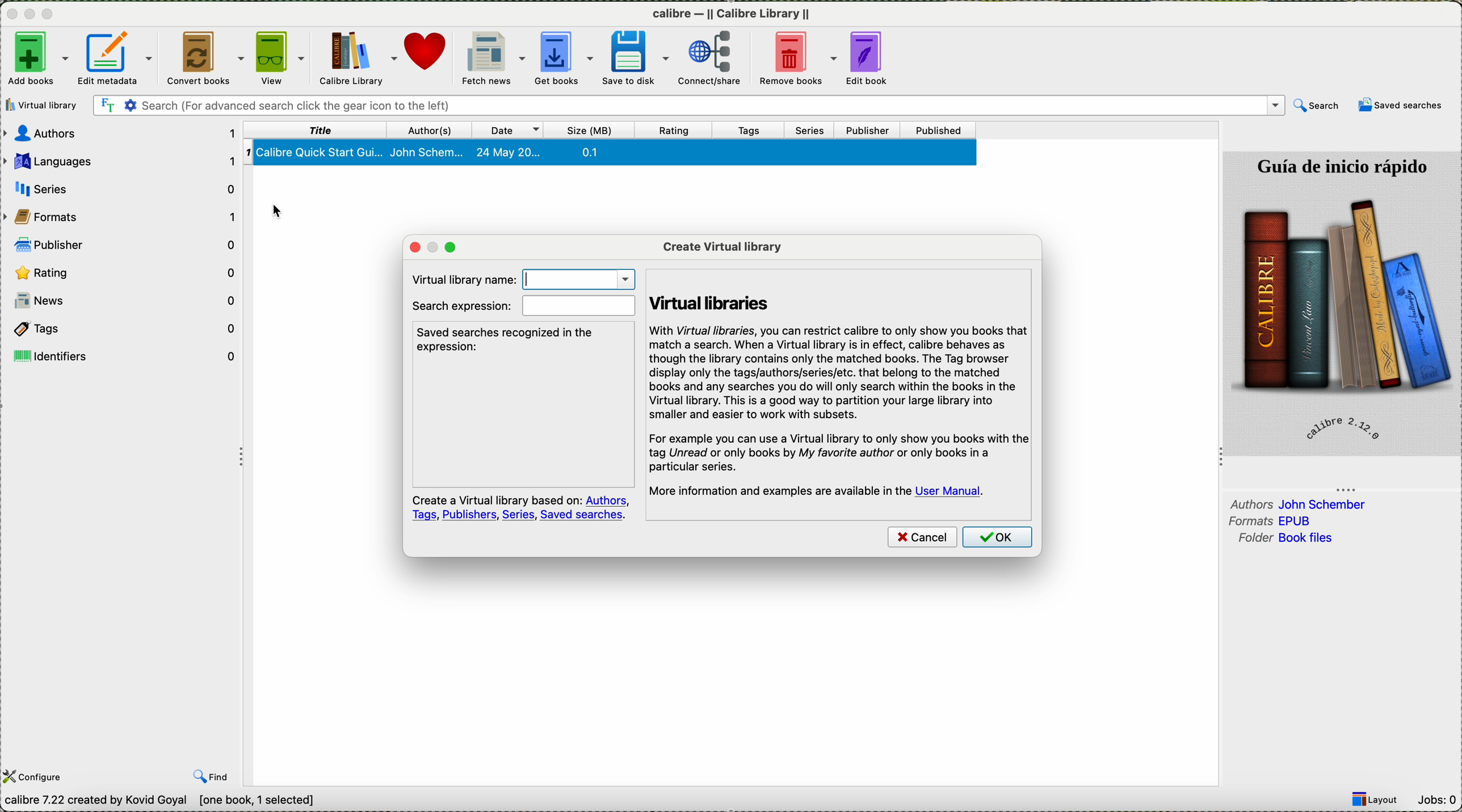 Image resolution: width=1462 pixels, height=812 pixels. What do you see at coordinates (431, 246) in the screenshot?
I see `maximize` at bounding box center [431, 246].